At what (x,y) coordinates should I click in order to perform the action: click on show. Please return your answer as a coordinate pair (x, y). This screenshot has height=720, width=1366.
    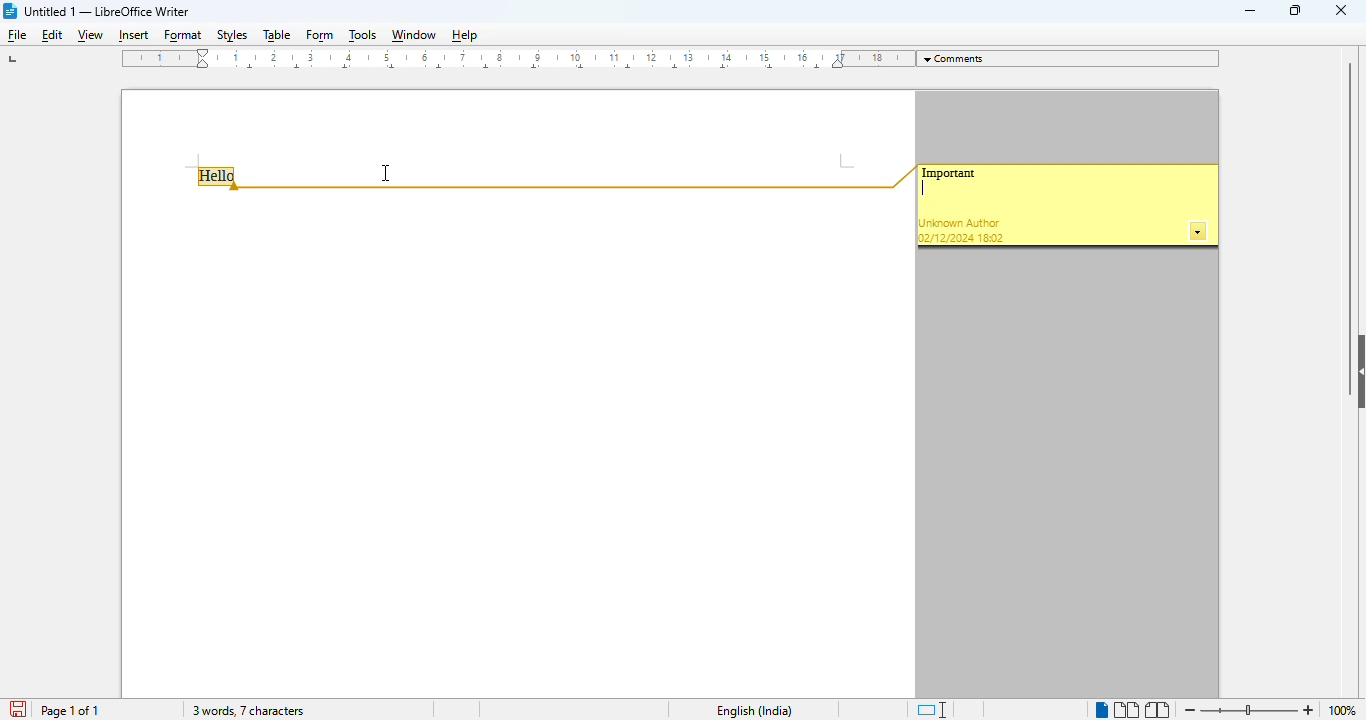
    Looking at the image, I should click on (1357, 372).